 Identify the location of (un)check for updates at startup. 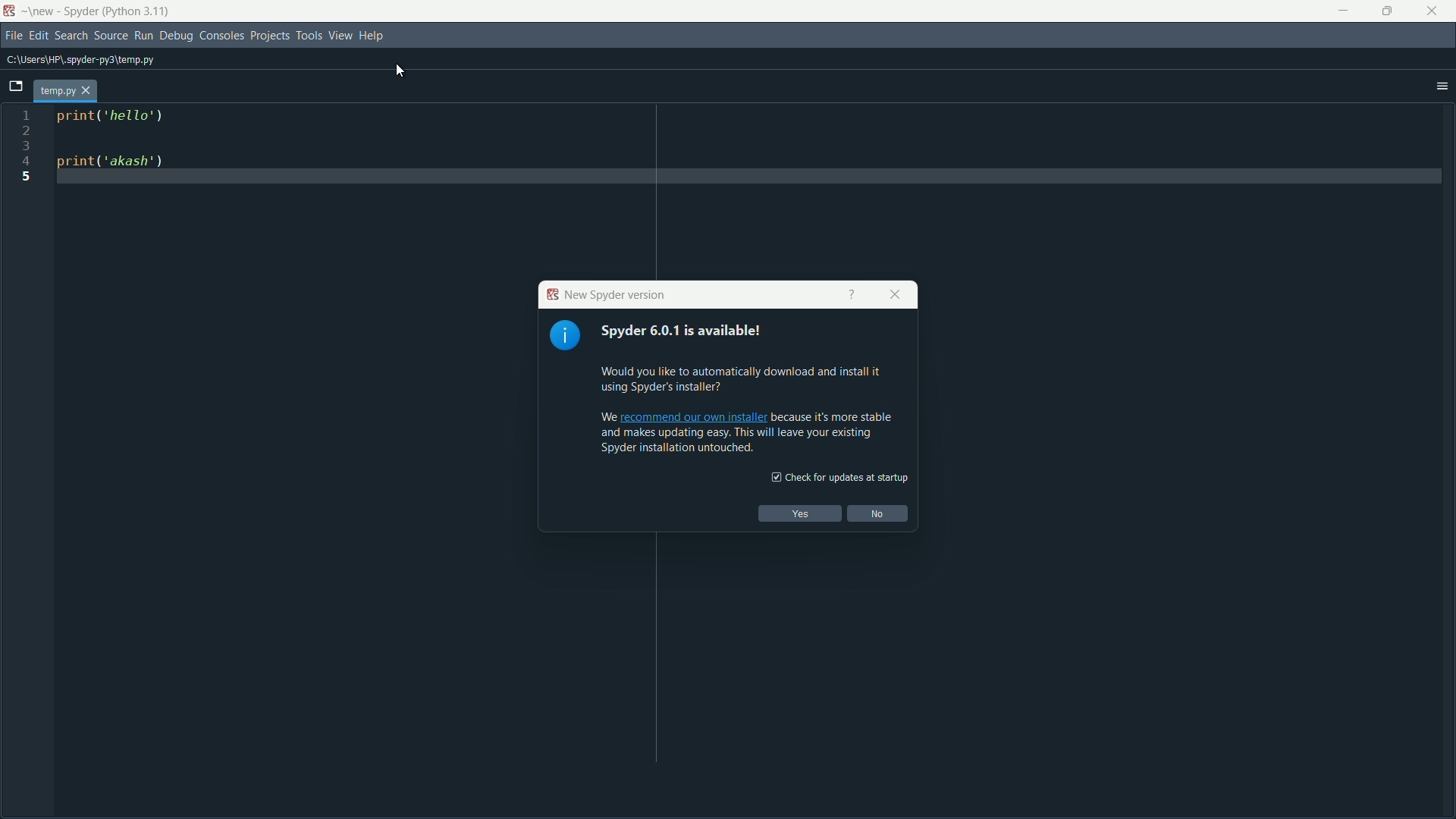
(837, 477).